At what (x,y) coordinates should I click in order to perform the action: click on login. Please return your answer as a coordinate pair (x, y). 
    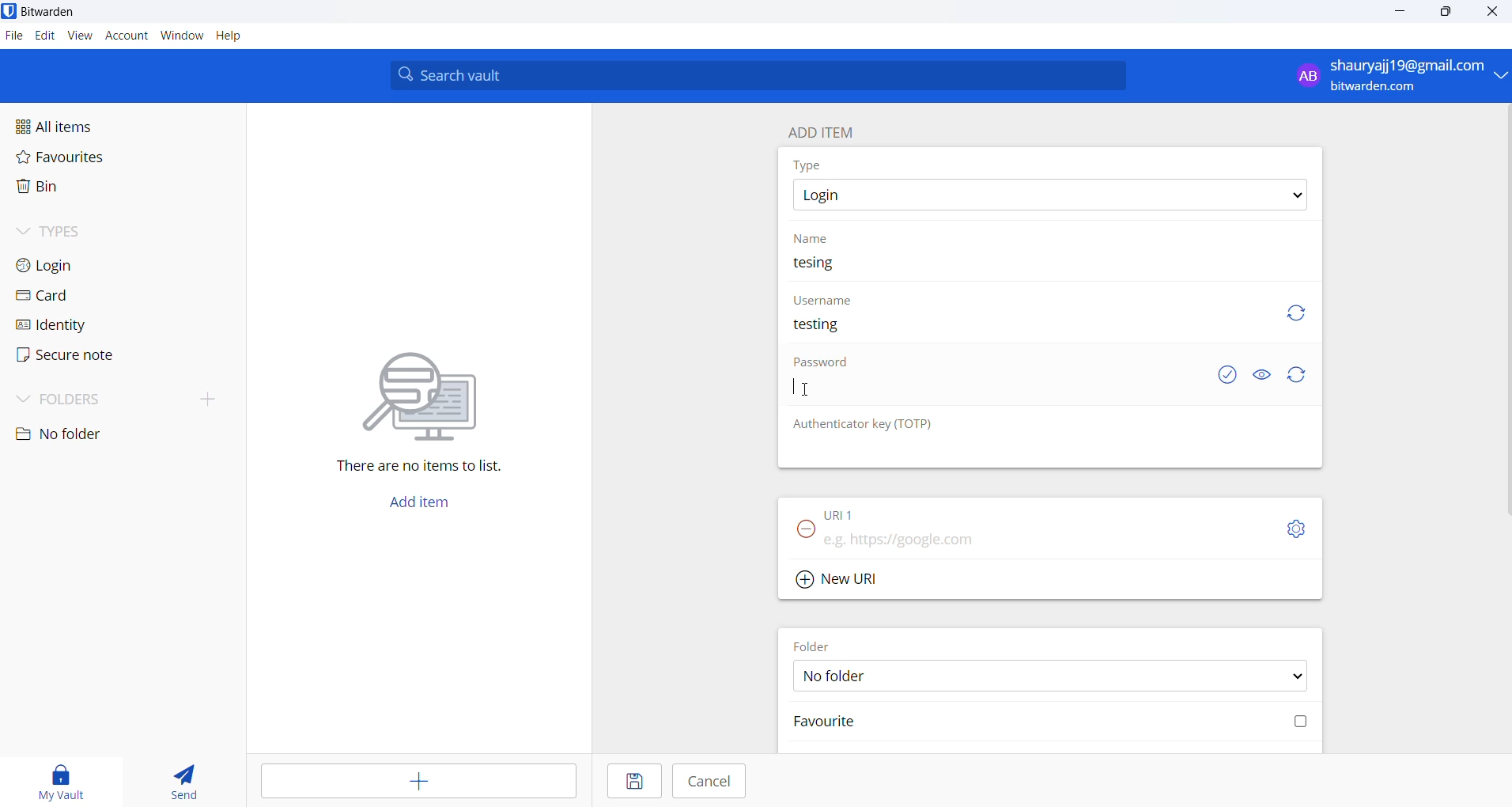
    Looking at the image, I should click on (93, 268).